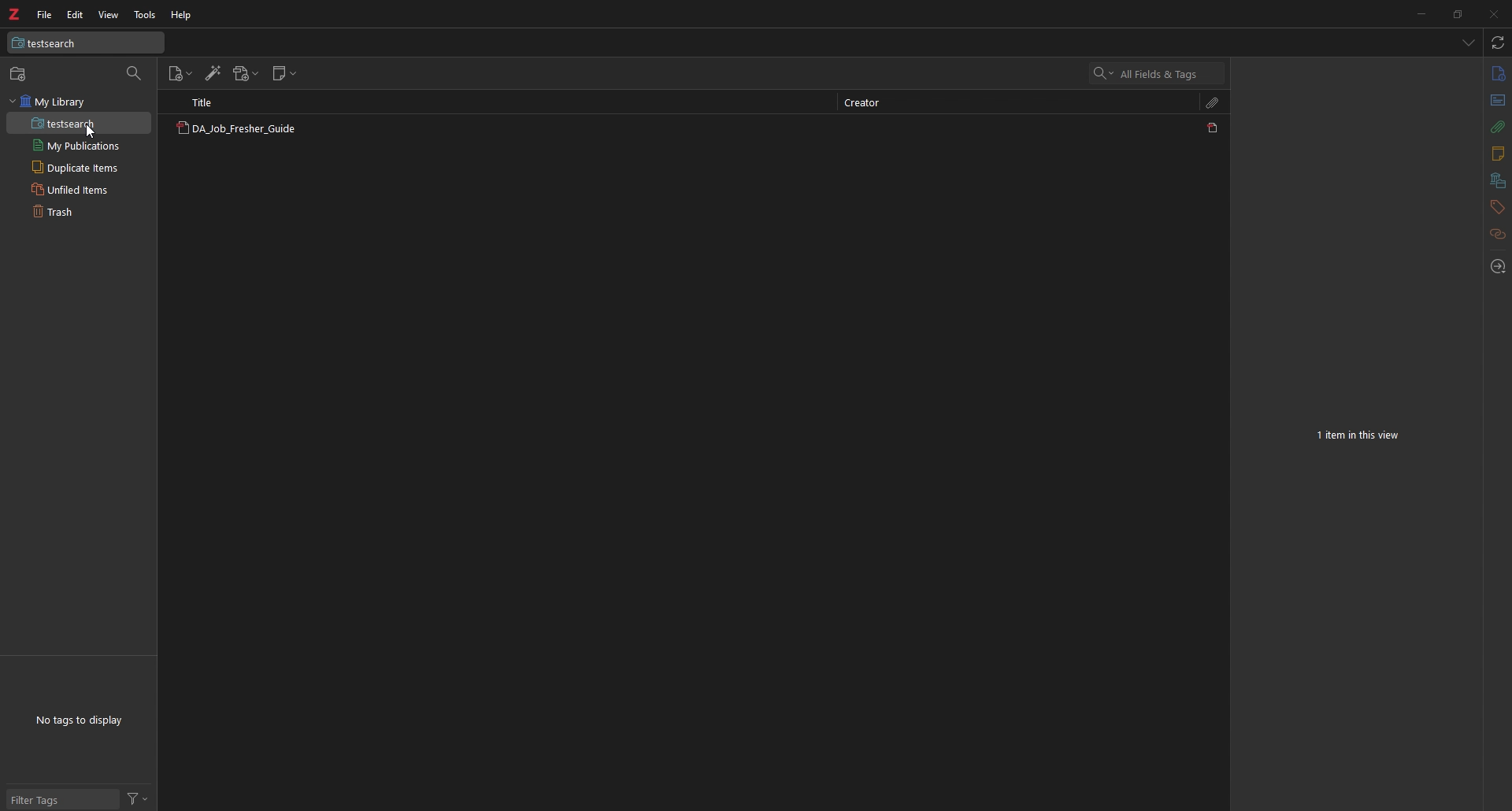 Image resolution: width=1512 pixels, height=811 pixels. What do you see at coordinates (79, 146) in the screenshot?
I see `my publications` at bounding box center [79, 146].